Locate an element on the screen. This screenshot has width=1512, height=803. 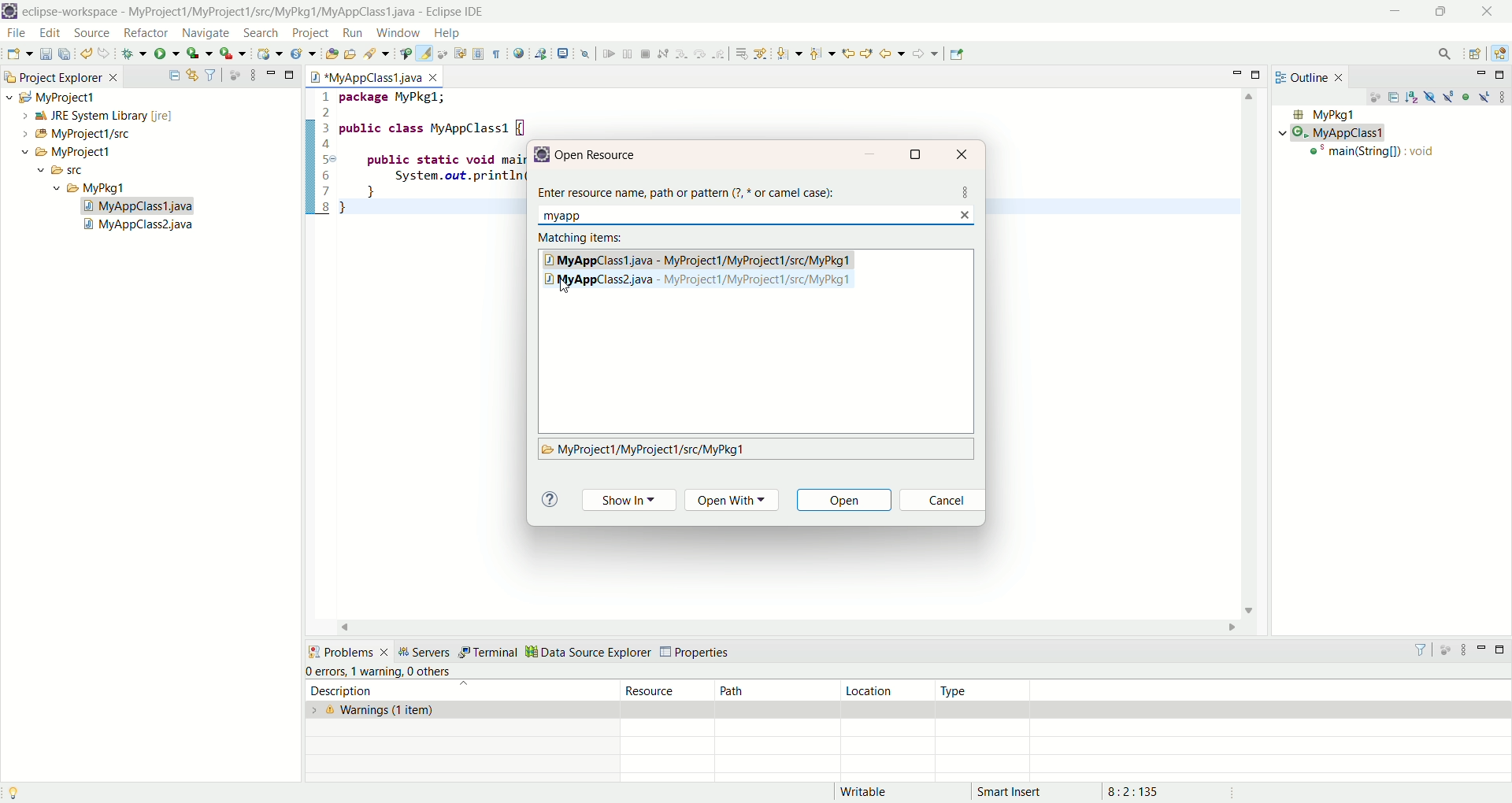
minimize is located at coordinates (1480, 653).